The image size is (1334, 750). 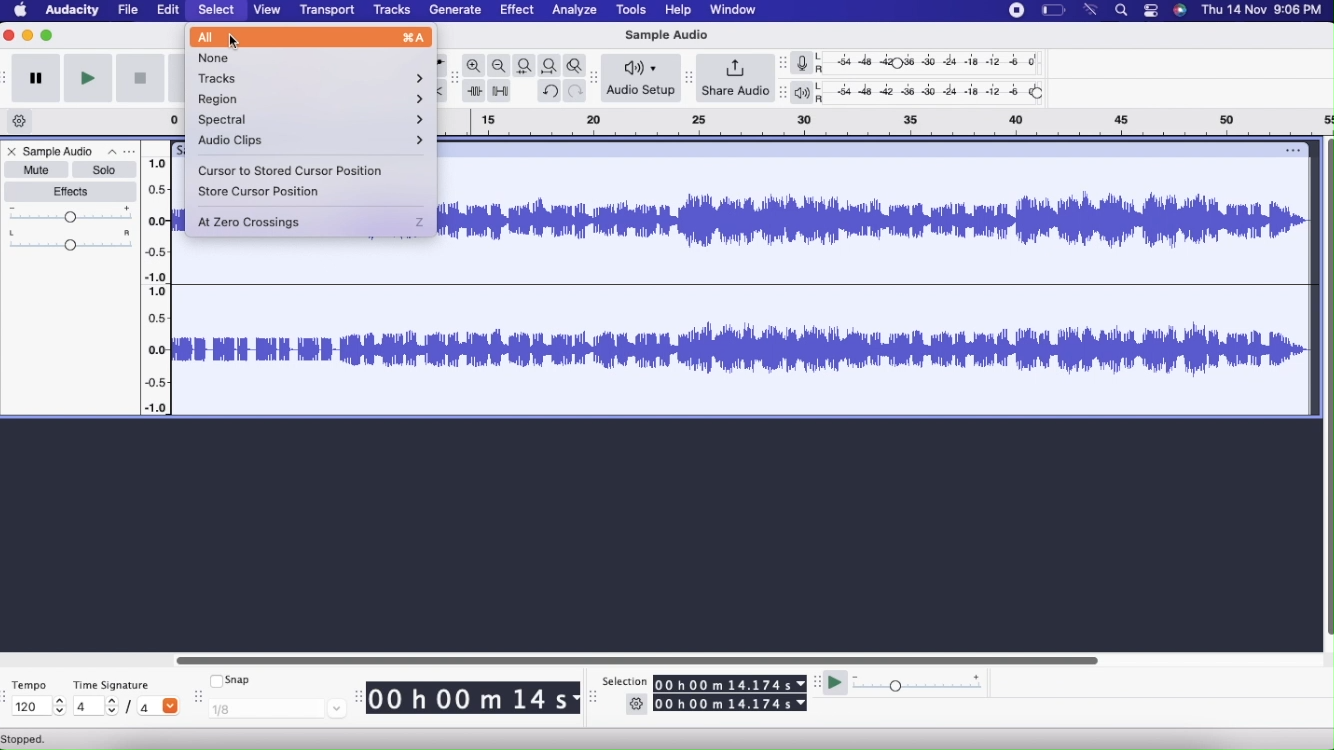 I want to click on Settings, so click(x=637, y=706).